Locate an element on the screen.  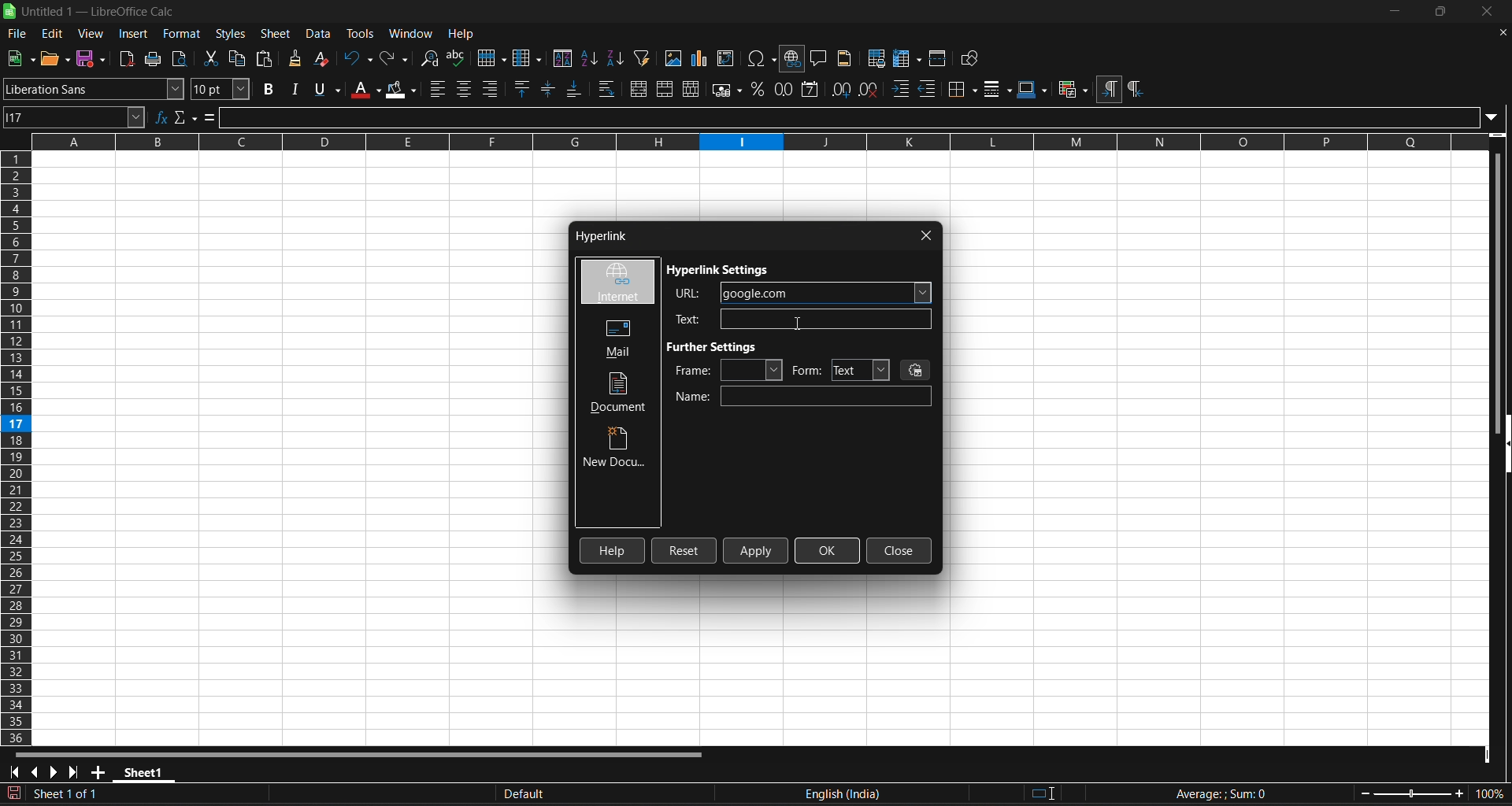
left to right is located at coordinates (1109, 88).